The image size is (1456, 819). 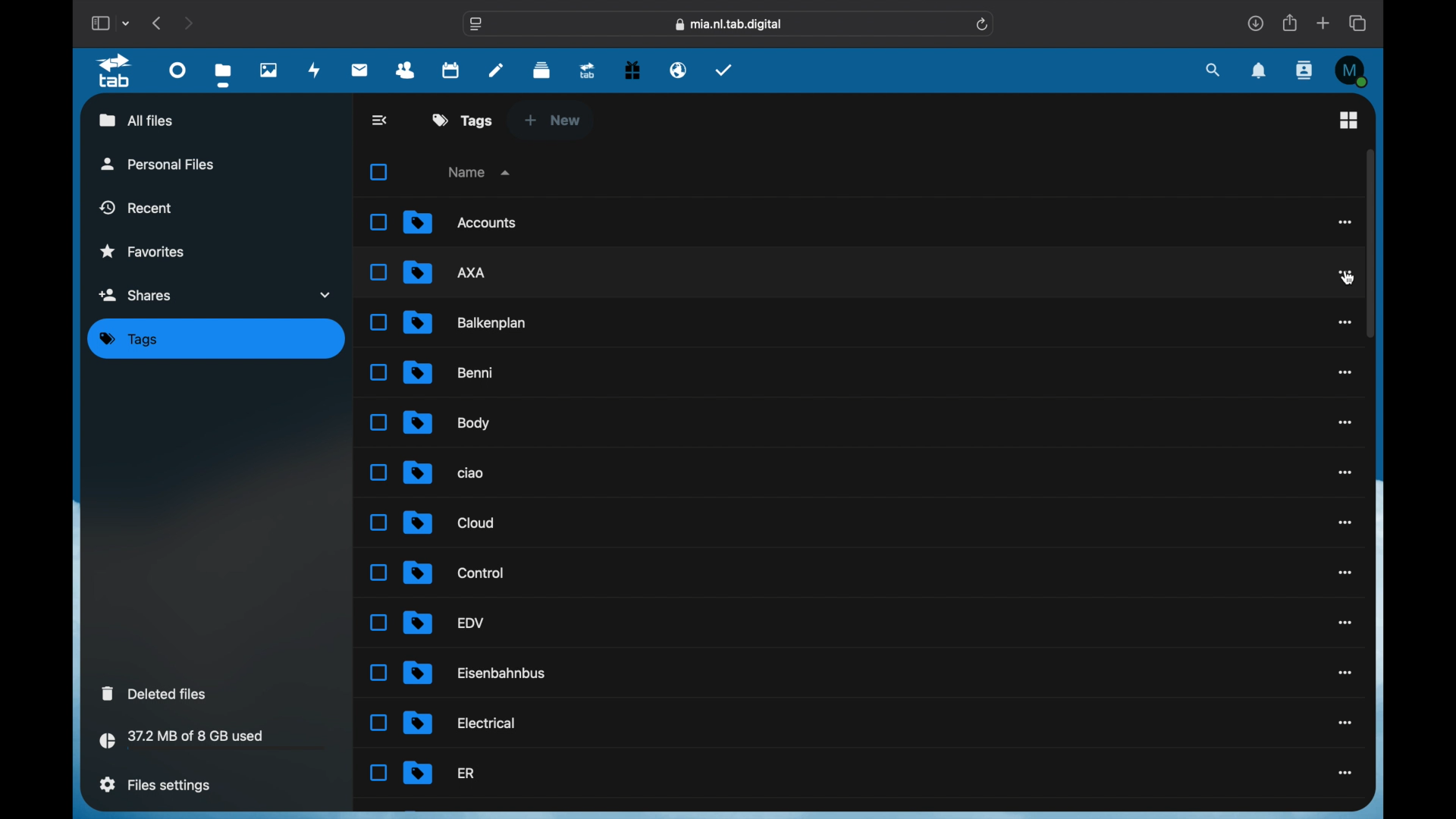 What do you see at coordinates (452, 69) in the screenshot?
I see `calendar` at bounding box center [452, 69].